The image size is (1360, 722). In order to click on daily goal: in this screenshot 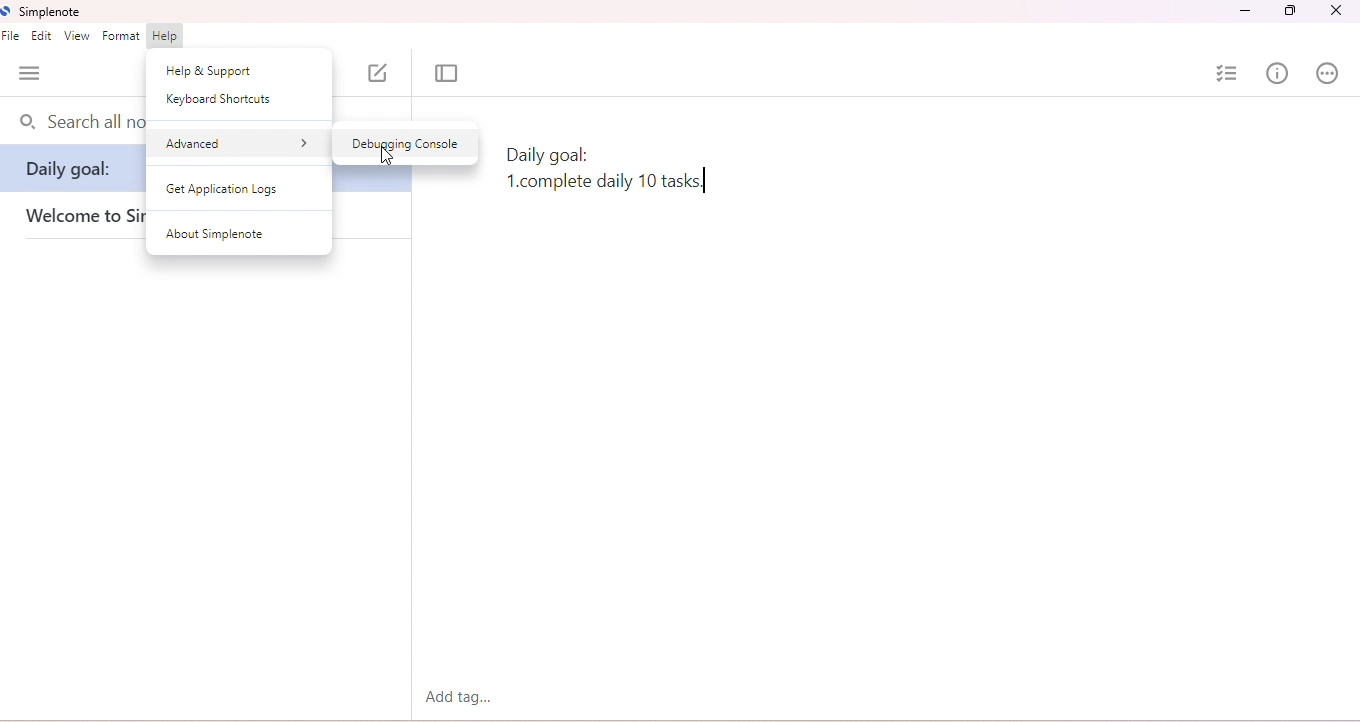, I will do `click(72, 174)`.